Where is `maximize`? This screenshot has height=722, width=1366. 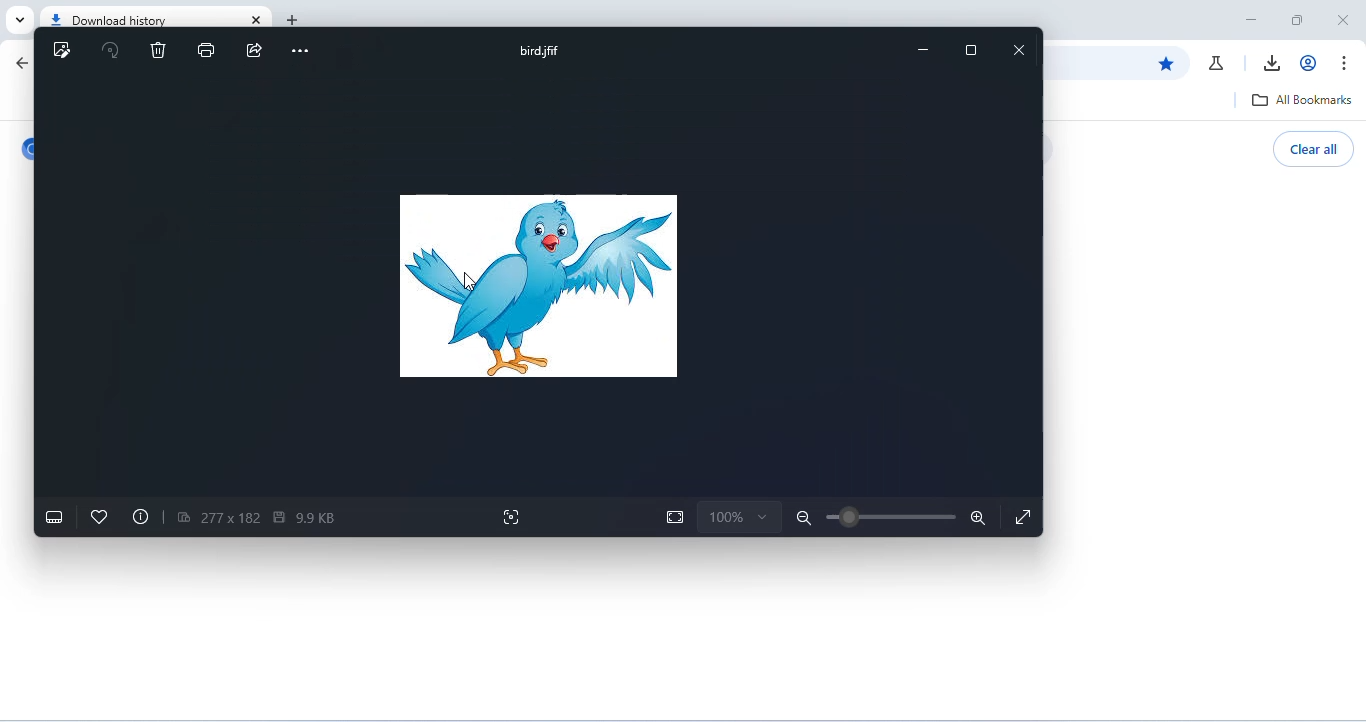
maximize is located at coordinates (973, 51).